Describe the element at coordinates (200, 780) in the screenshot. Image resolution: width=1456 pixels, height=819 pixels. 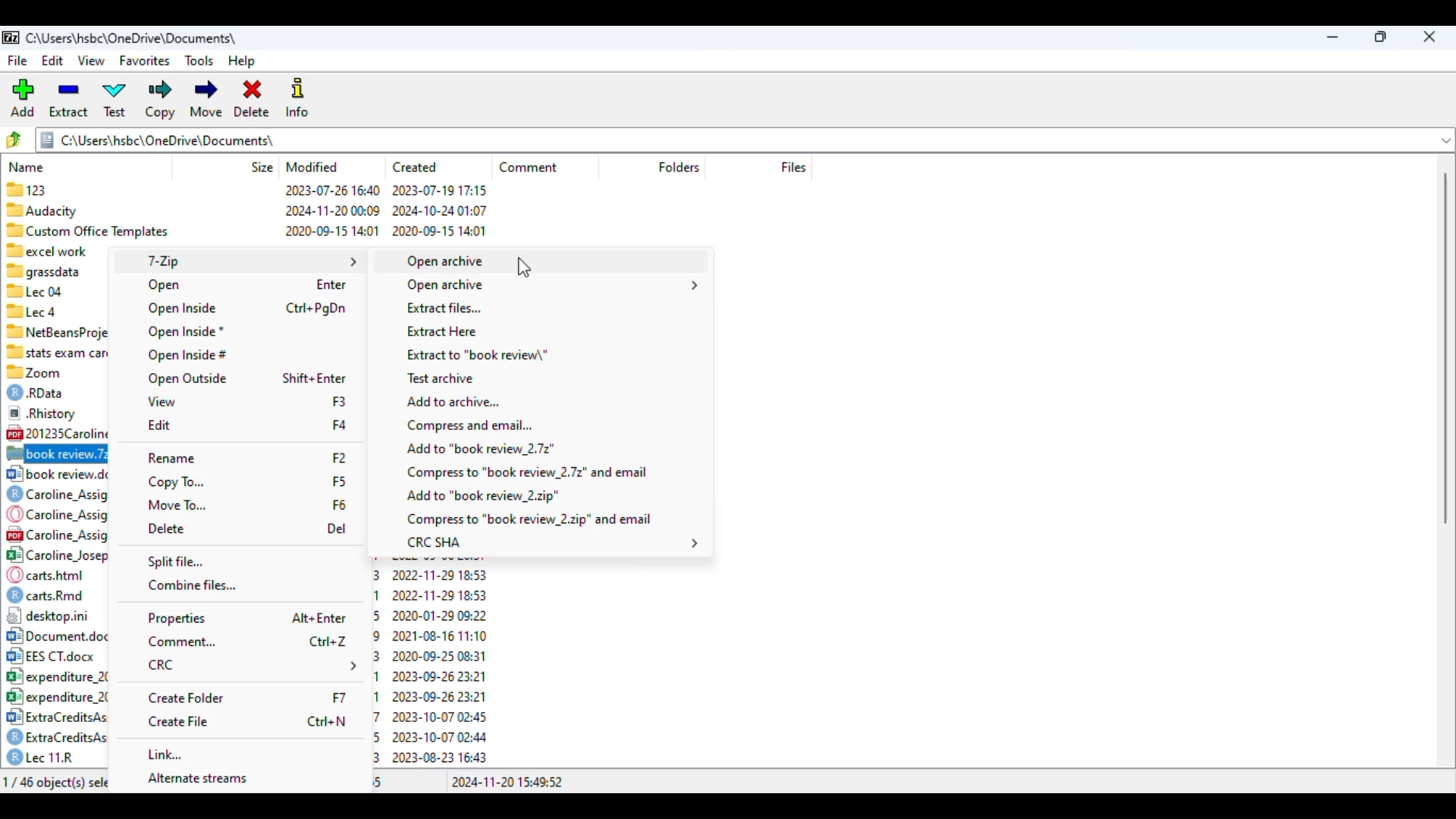
I see `alternate streams` at that location.